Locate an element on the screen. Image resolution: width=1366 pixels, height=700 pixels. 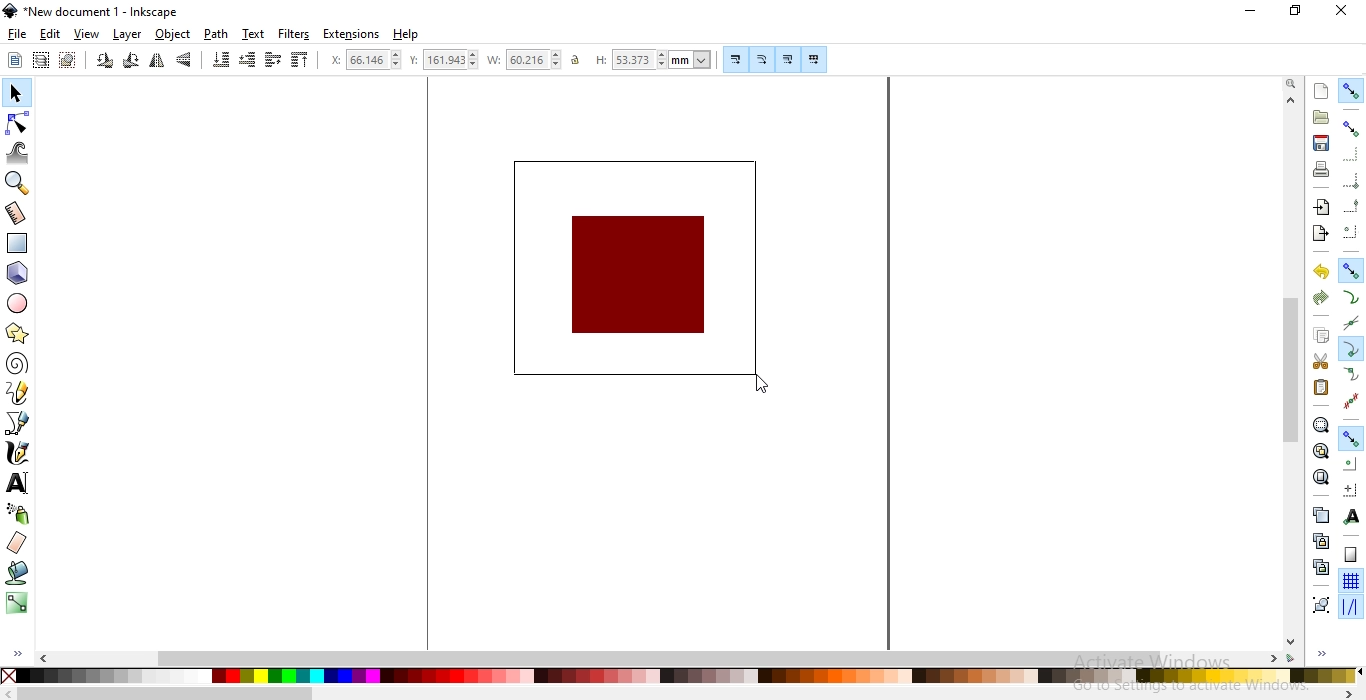
color is located at coordinates (679, 676).